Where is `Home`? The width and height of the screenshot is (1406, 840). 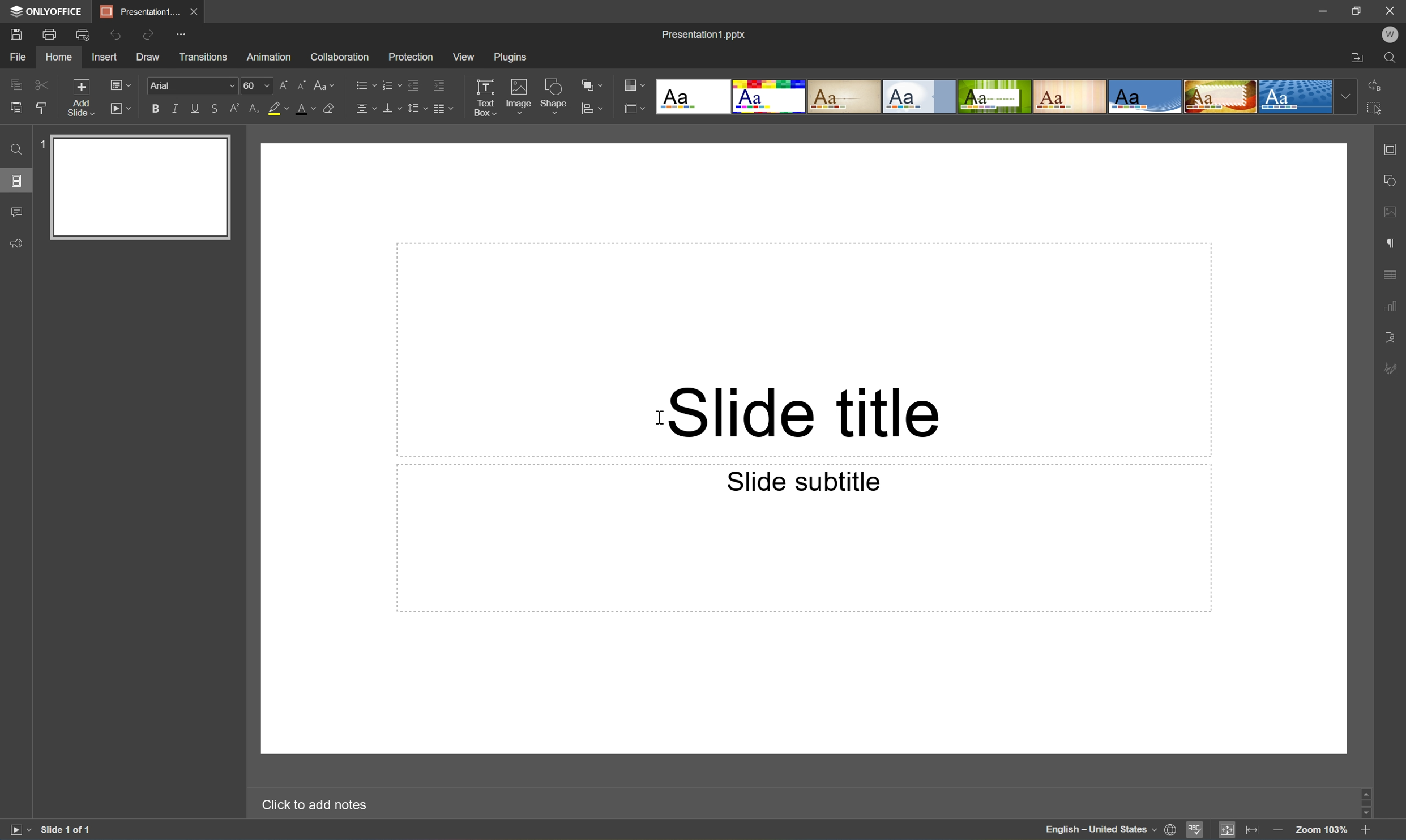 Home is located at coordinates (59, 56).